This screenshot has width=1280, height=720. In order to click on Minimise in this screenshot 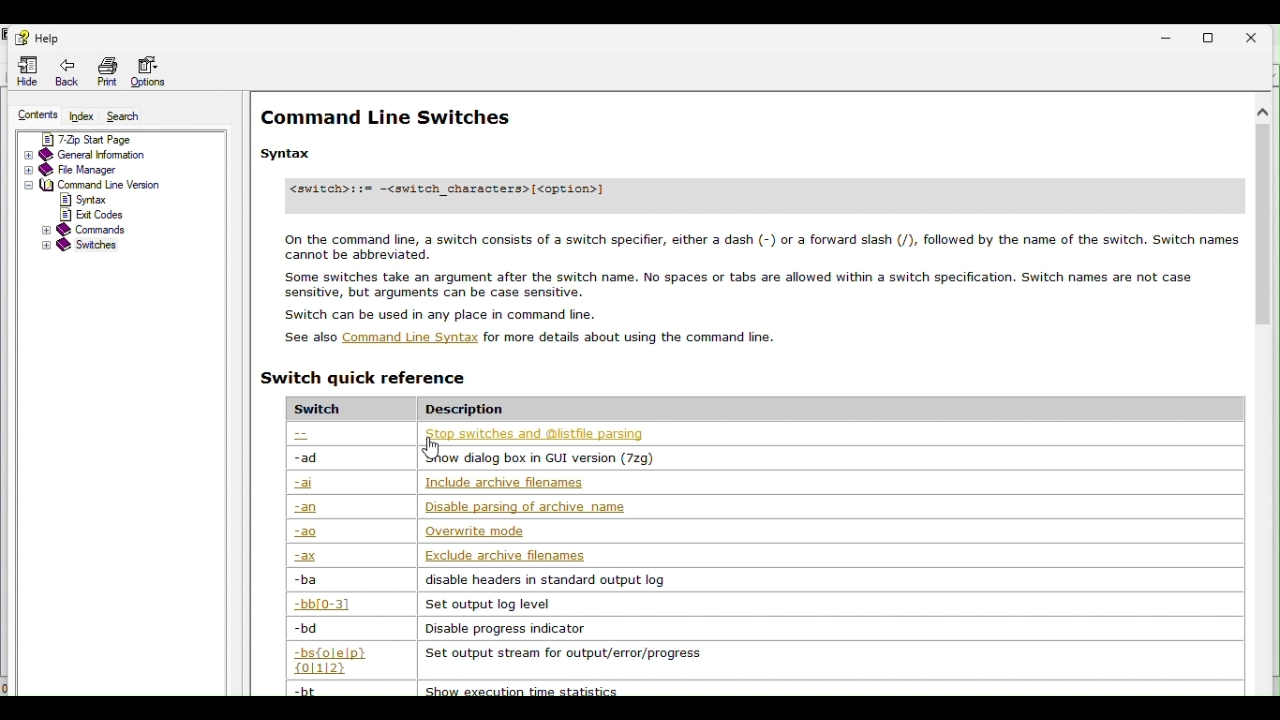, I will do `click(1171, 35)`.